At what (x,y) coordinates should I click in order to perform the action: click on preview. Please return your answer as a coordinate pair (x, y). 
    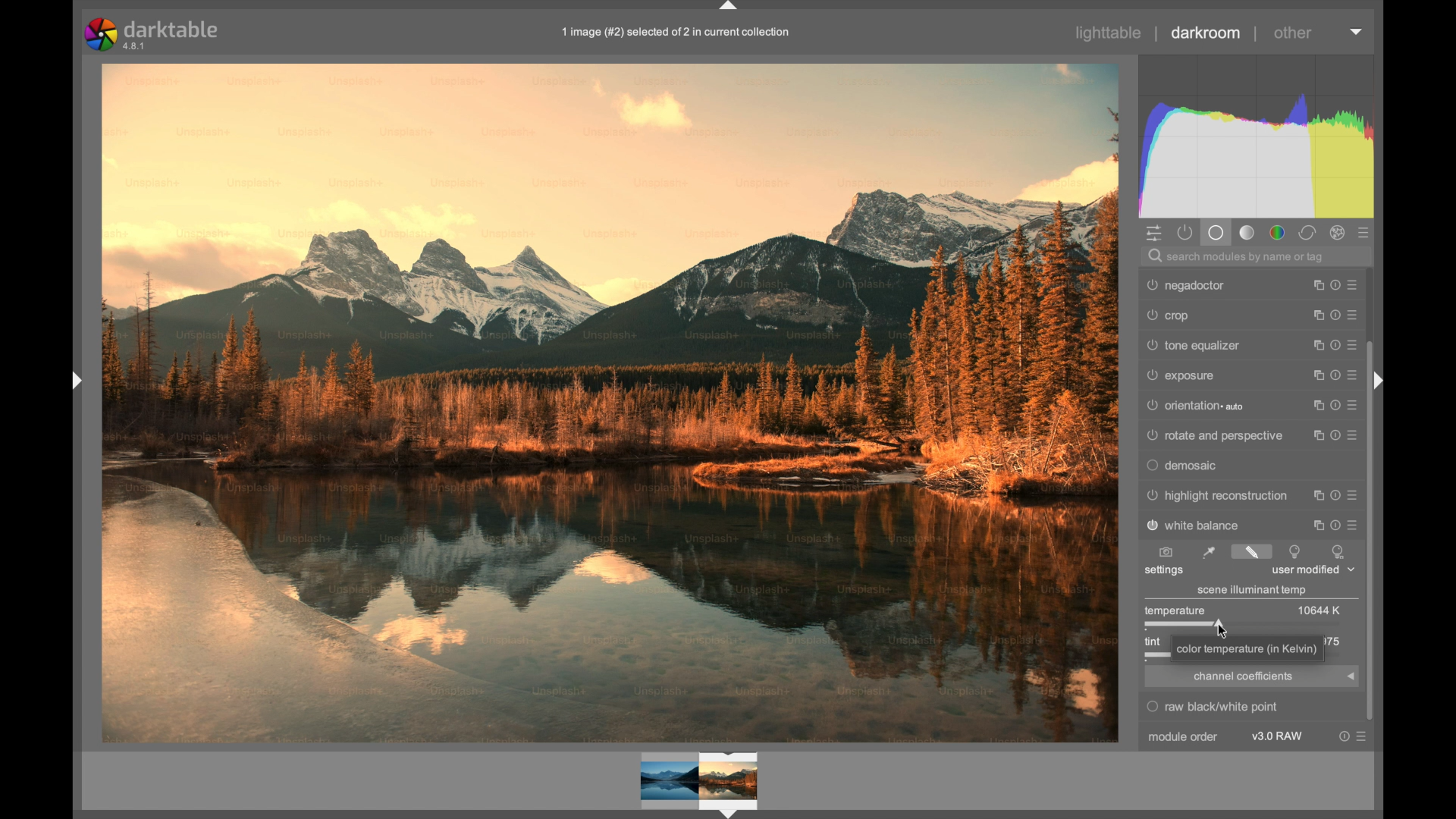
    Looking at the image, I should click on (704, 785).